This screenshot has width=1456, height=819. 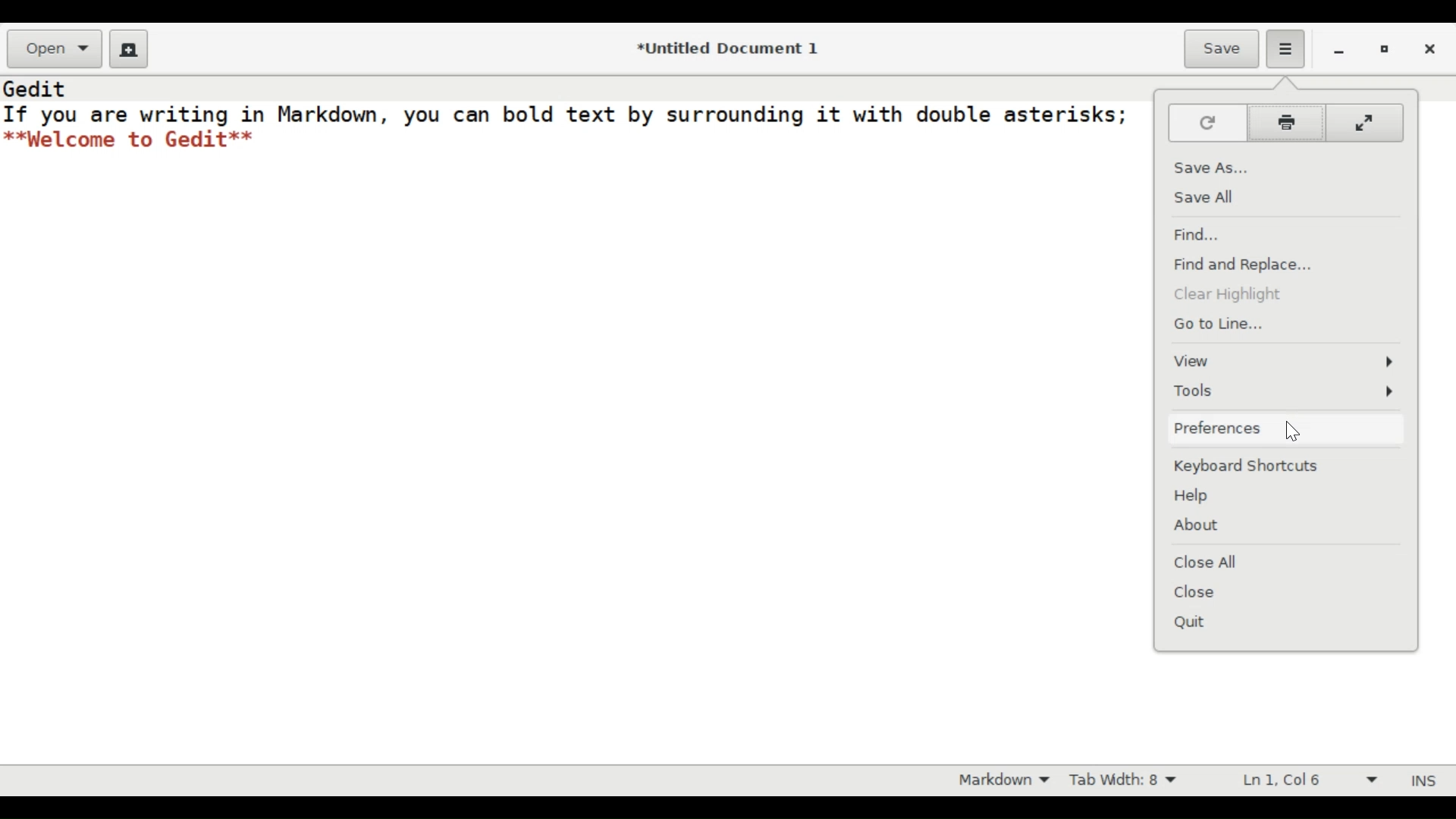 What do you see at coordinates (1288, 122) in the screenshot?
I see `print` at bounding box center [1288, 122].